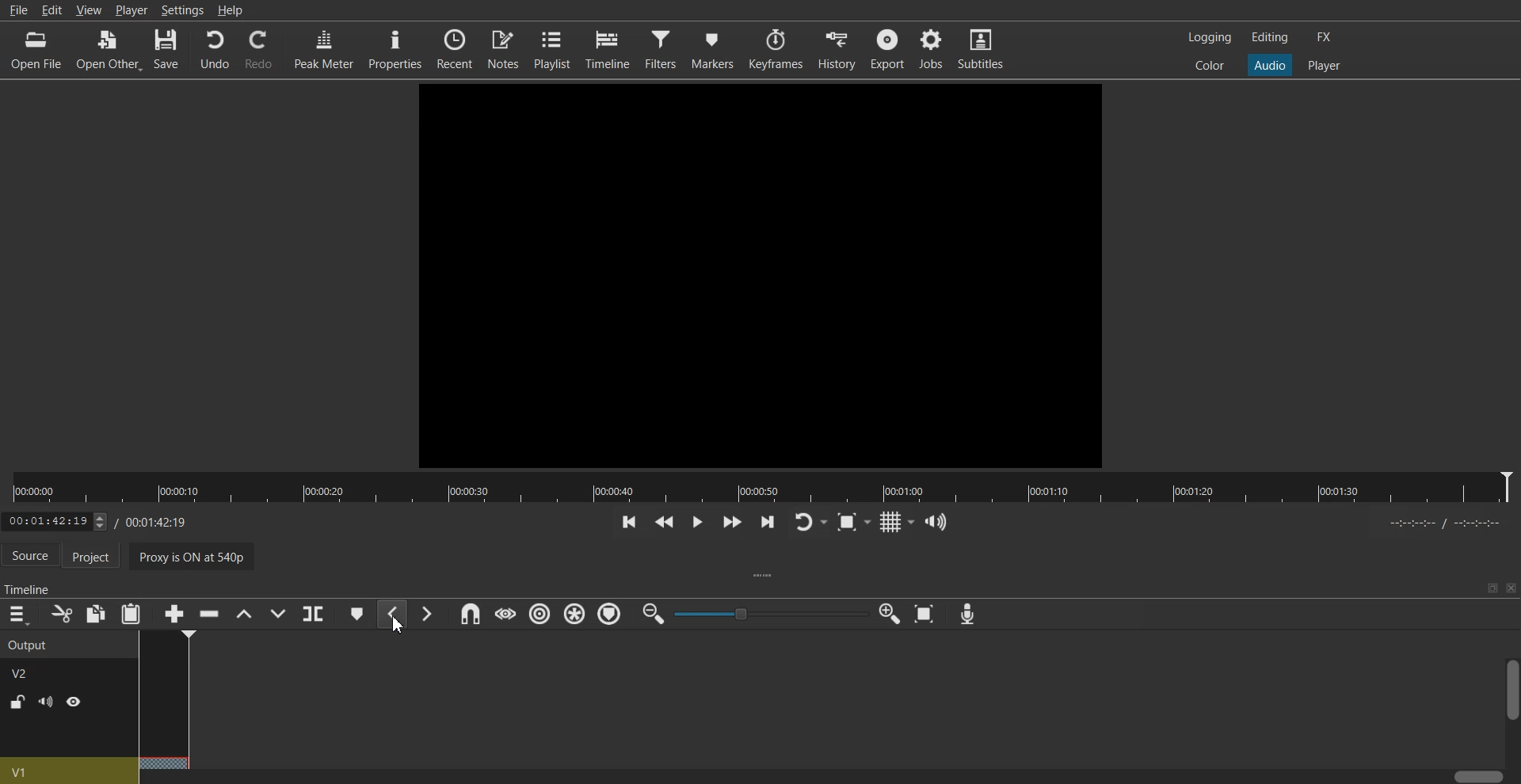  What do you see at coordinates (505, 49) in the screenshot?
I see `Notes` at bounding box center [505, 49].